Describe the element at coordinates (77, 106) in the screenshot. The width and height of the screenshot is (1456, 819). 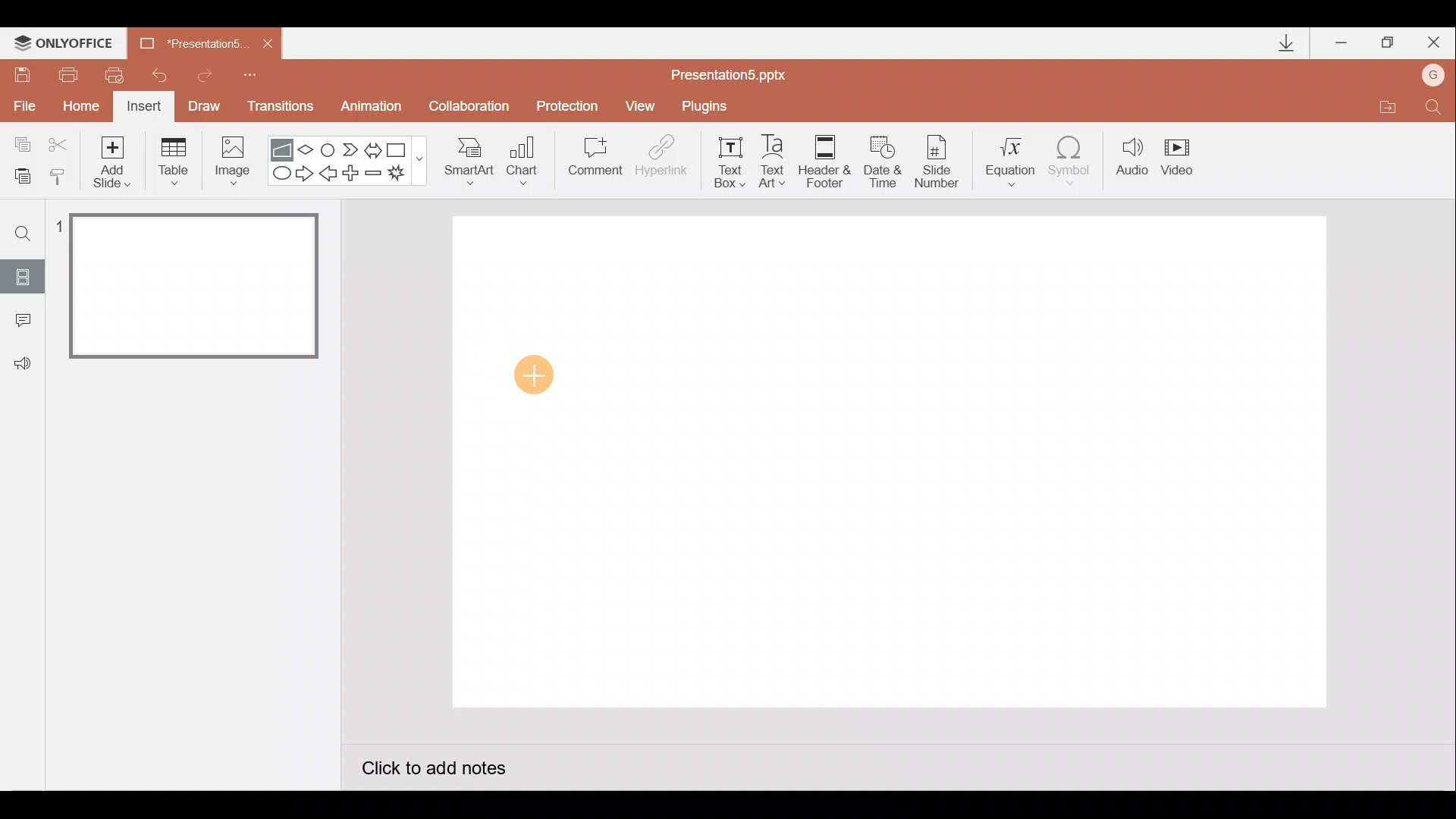
I see `Home` at that location.